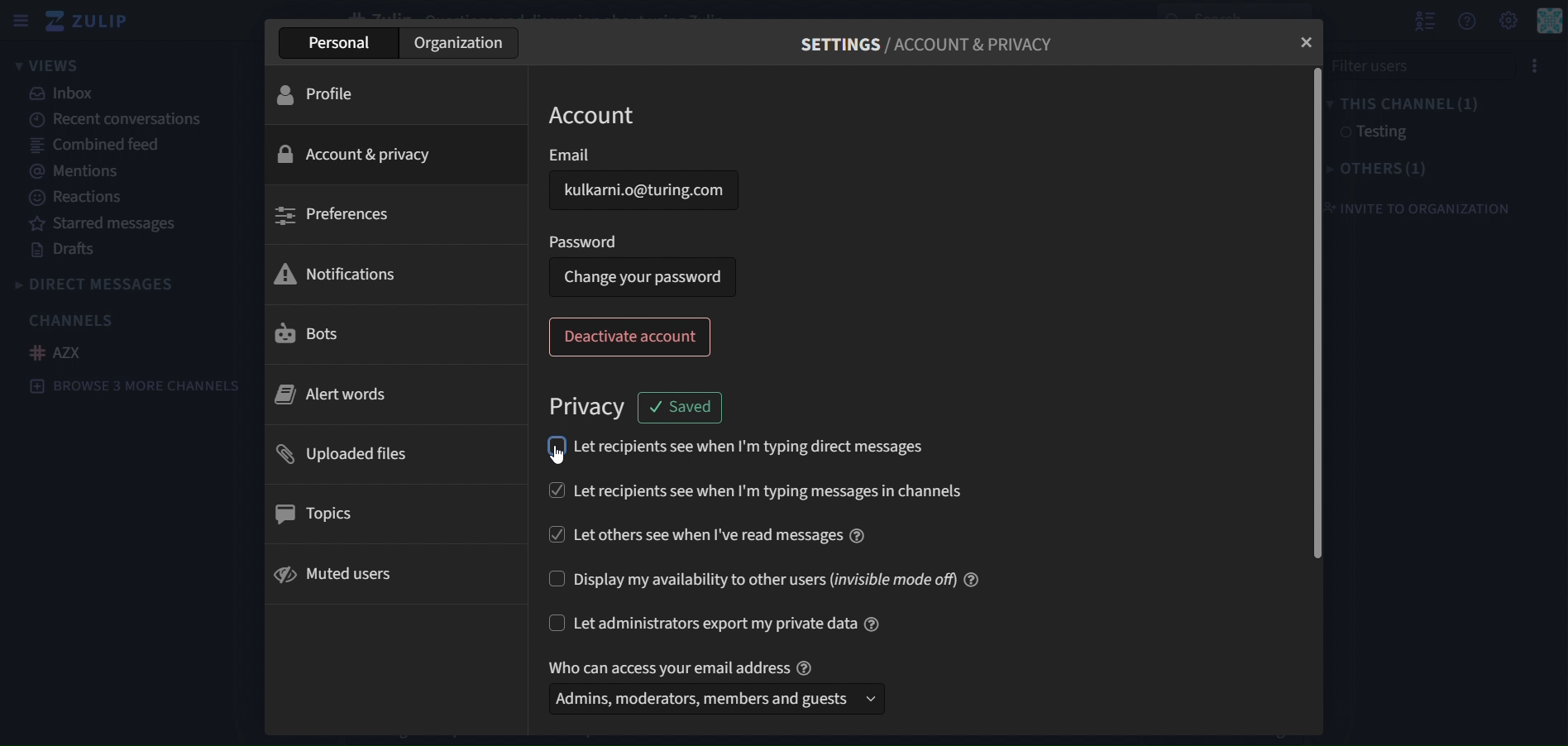  I want to click on profile, so click(333, 97).